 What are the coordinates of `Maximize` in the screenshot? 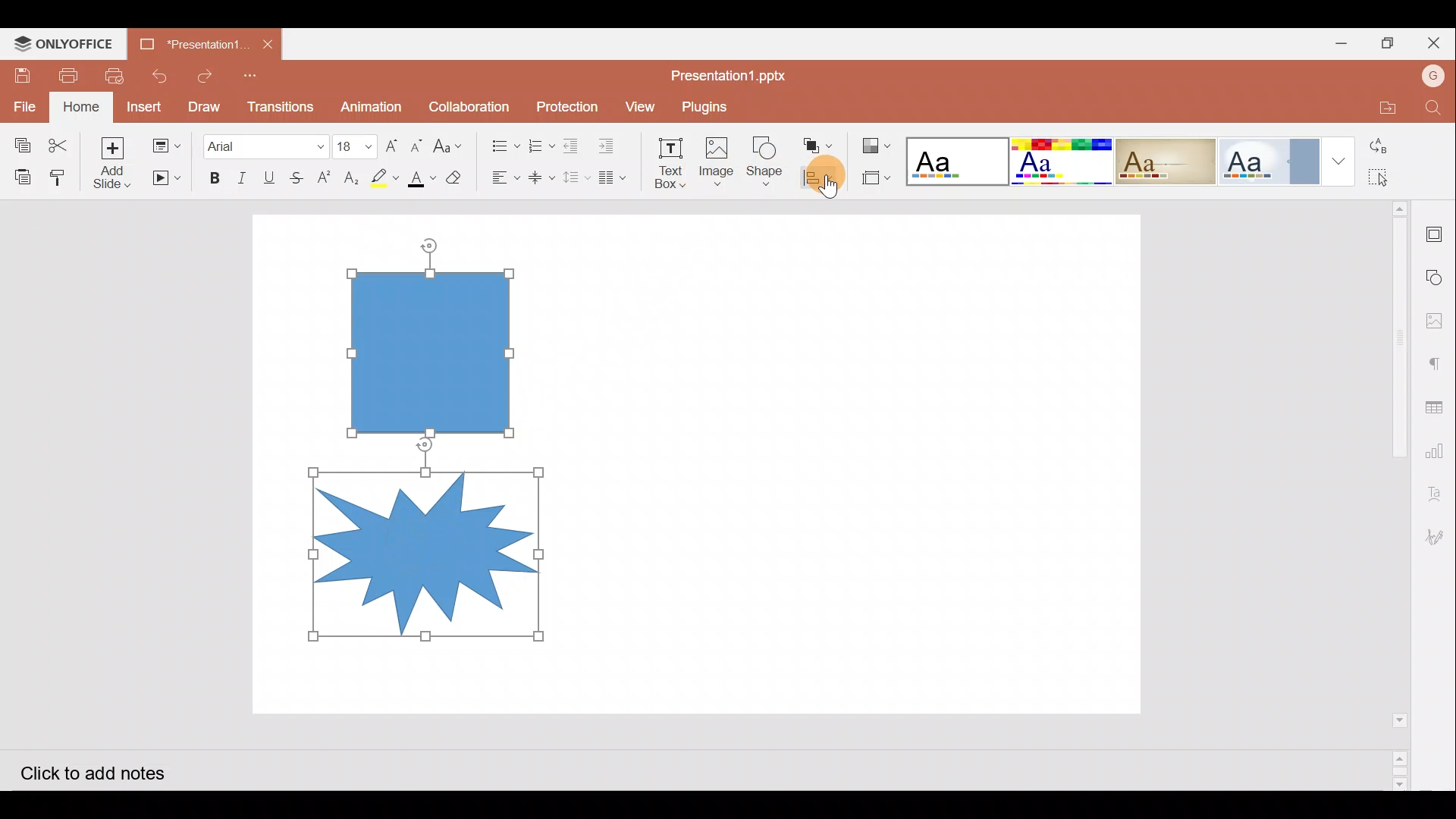 It's located at (1389, 43).